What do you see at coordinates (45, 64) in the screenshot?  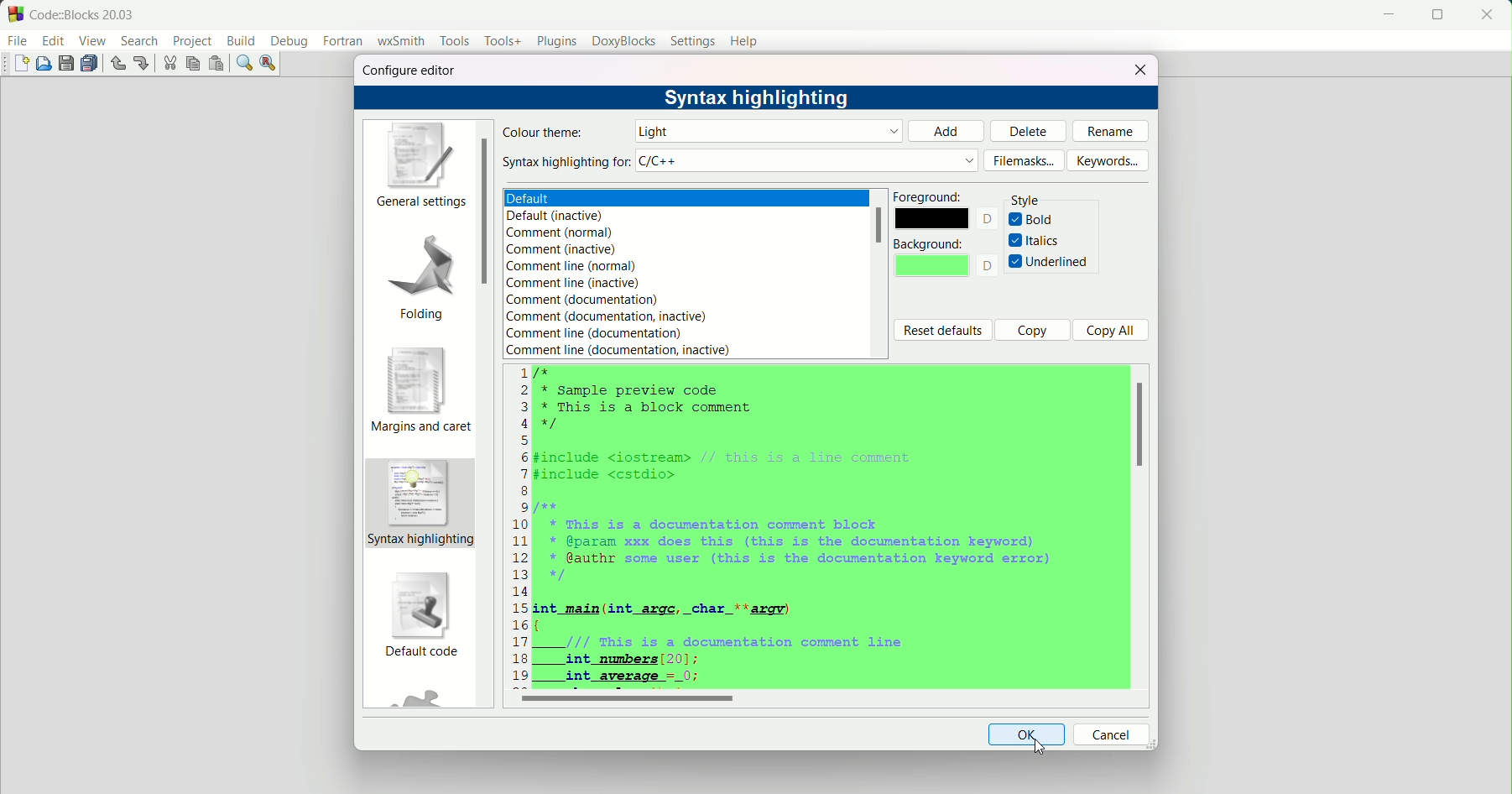 I see `open` at bounding box center [45, 64].